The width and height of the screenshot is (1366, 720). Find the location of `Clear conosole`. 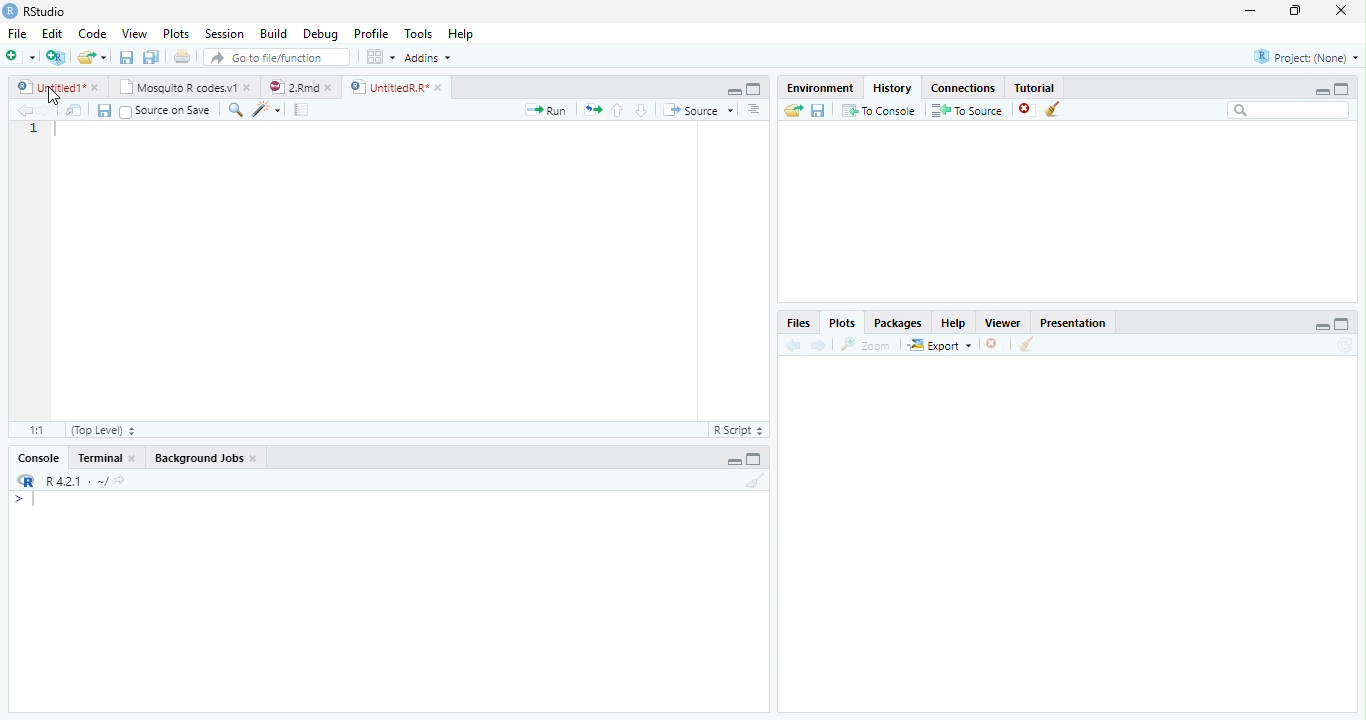

Clear conosole is located at coordinates (1029, 344).